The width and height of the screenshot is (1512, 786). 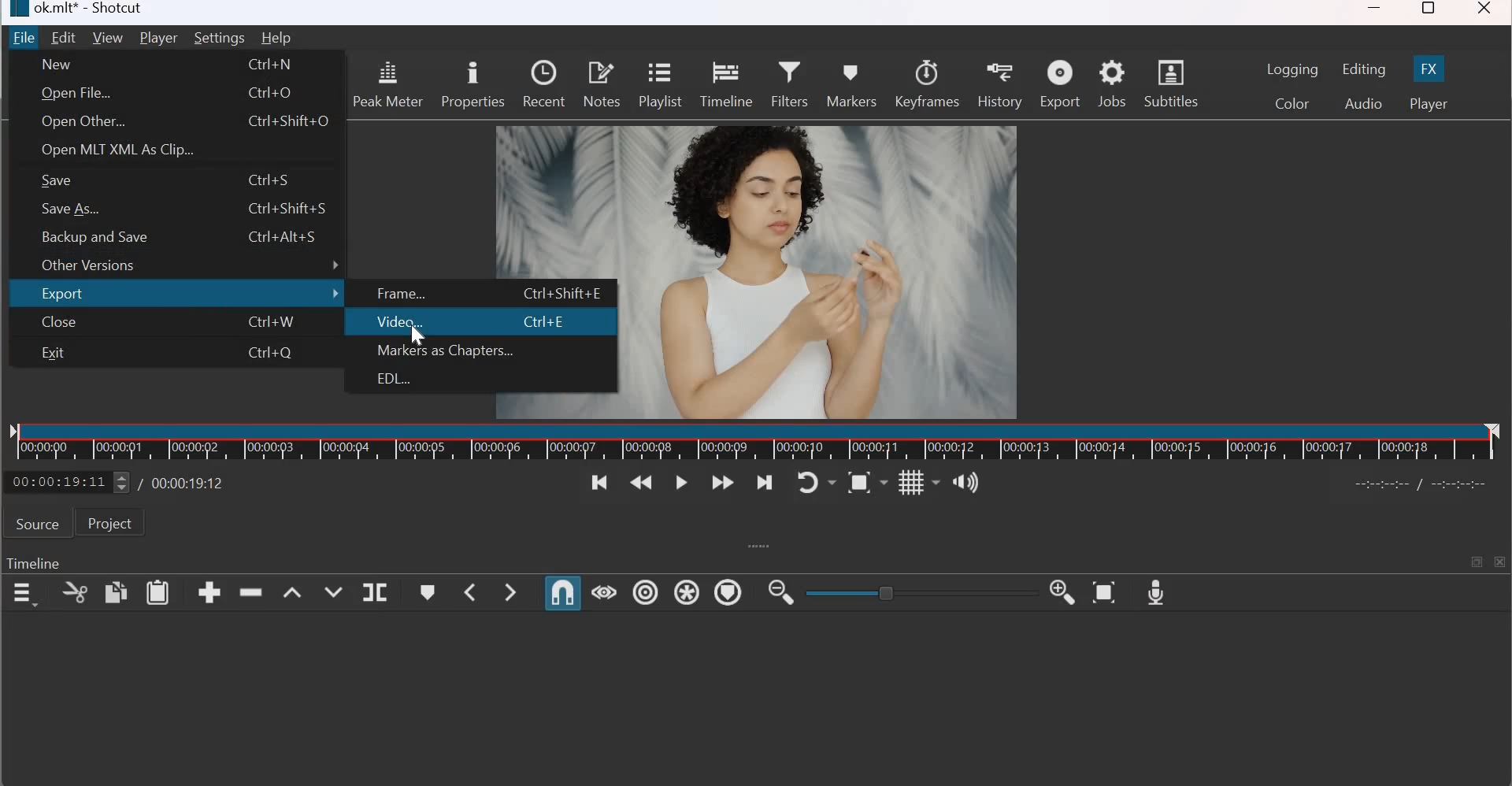 What do you see at coordinates (1063, 593) in the screenshot?
I see `Zoom Timeline in` at bounding box center [1063, 593].